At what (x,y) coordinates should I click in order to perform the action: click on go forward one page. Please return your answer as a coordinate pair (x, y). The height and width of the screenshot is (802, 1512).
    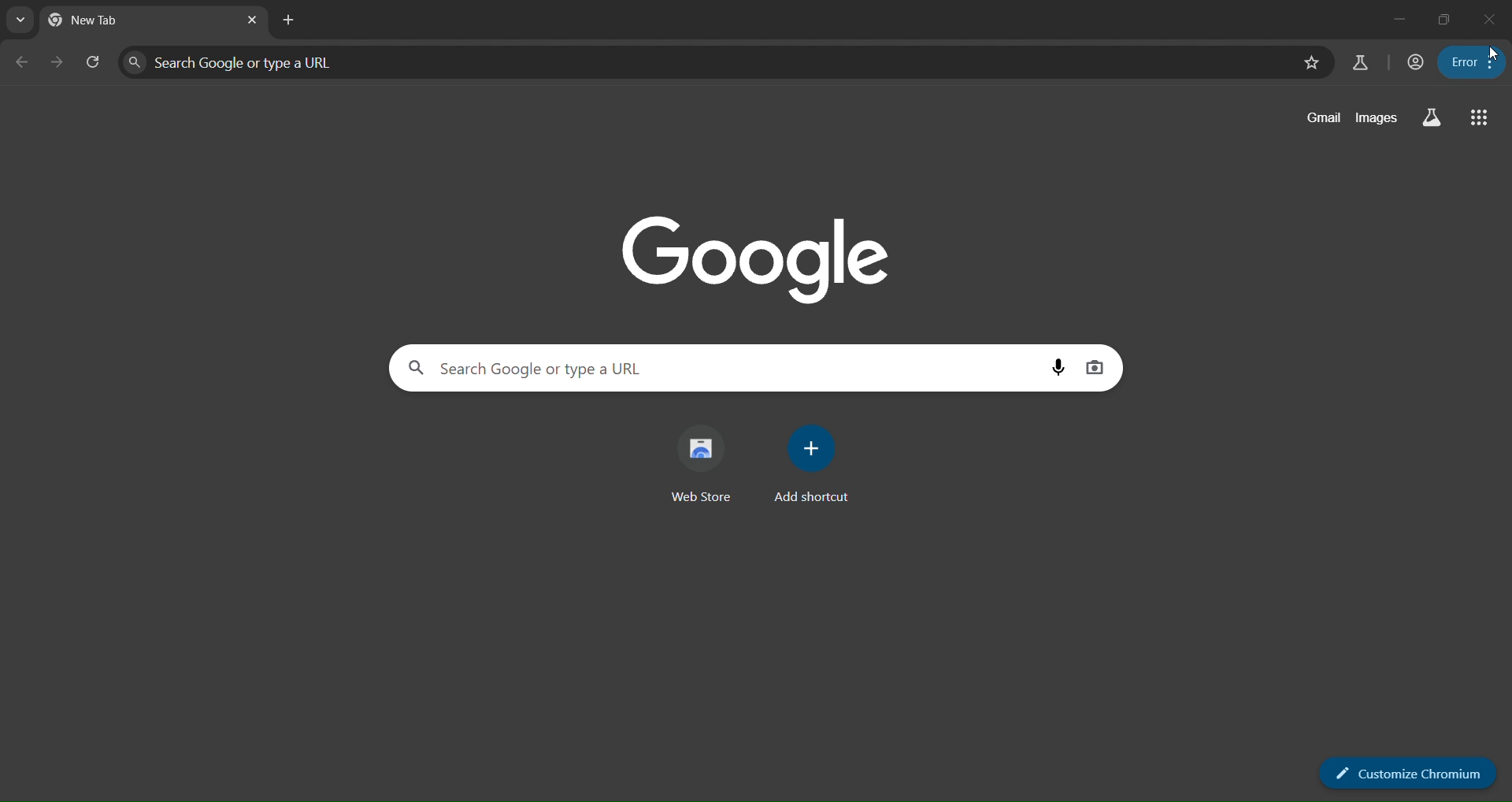
    Looking at the image, I should click on (58, 60).